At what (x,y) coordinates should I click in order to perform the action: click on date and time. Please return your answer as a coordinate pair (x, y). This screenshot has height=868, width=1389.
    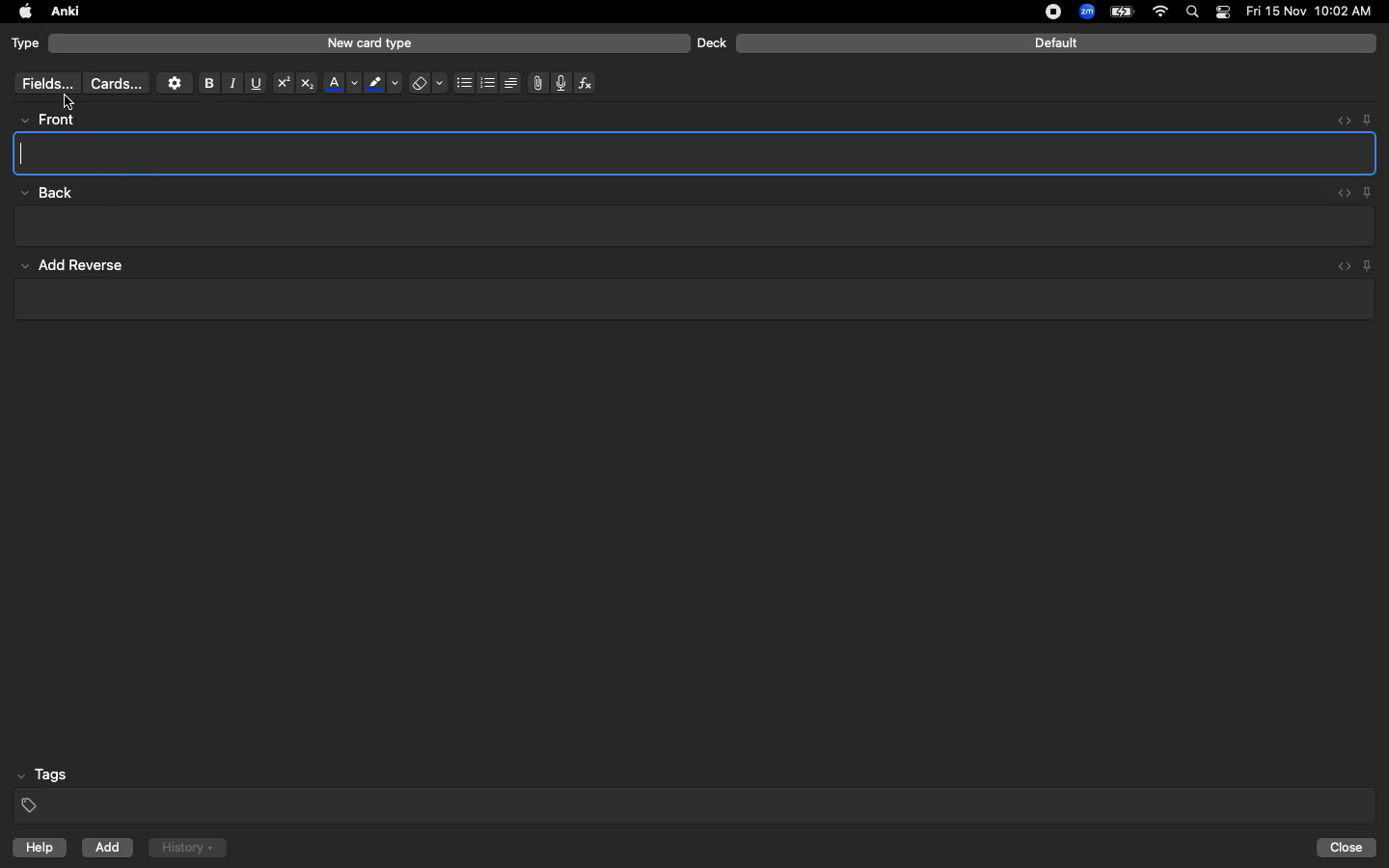
    Looking at the image, I should click on (1315, 11).